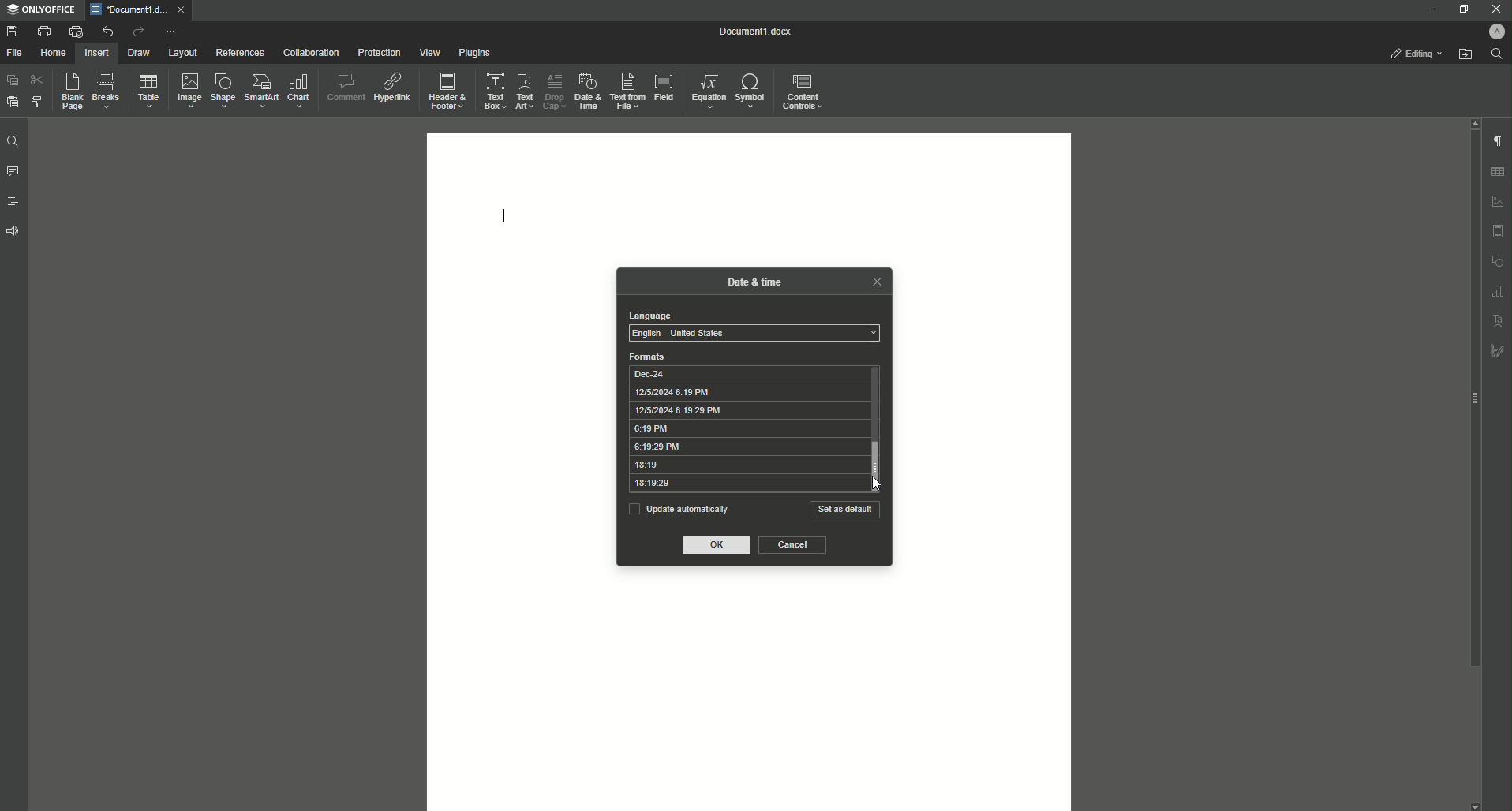 This screenshot has width=1512, height=811. What do you see at coordinates (40, 10) in the screenshot?
I see `ONLYOFFICE` at bounding box center [40, 10].